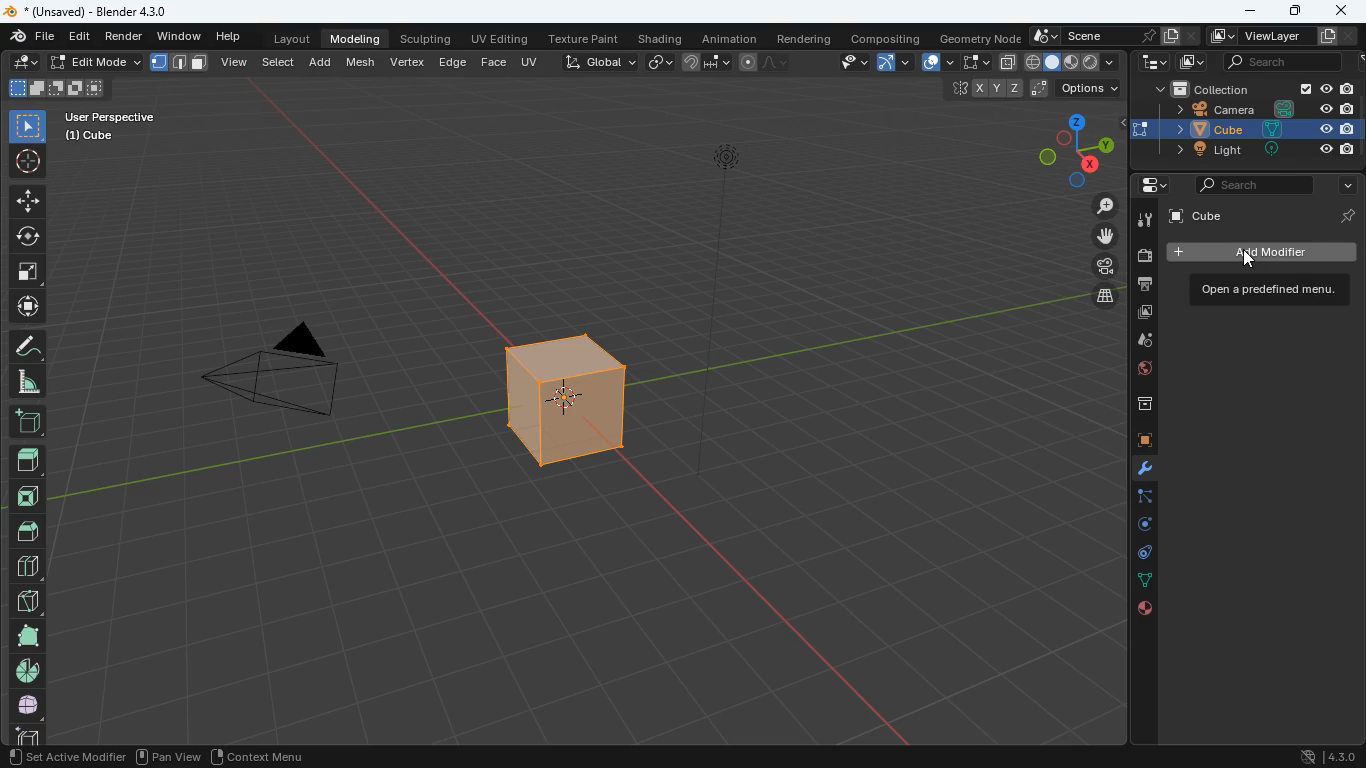  I want to click on cube, so click(587, 400).